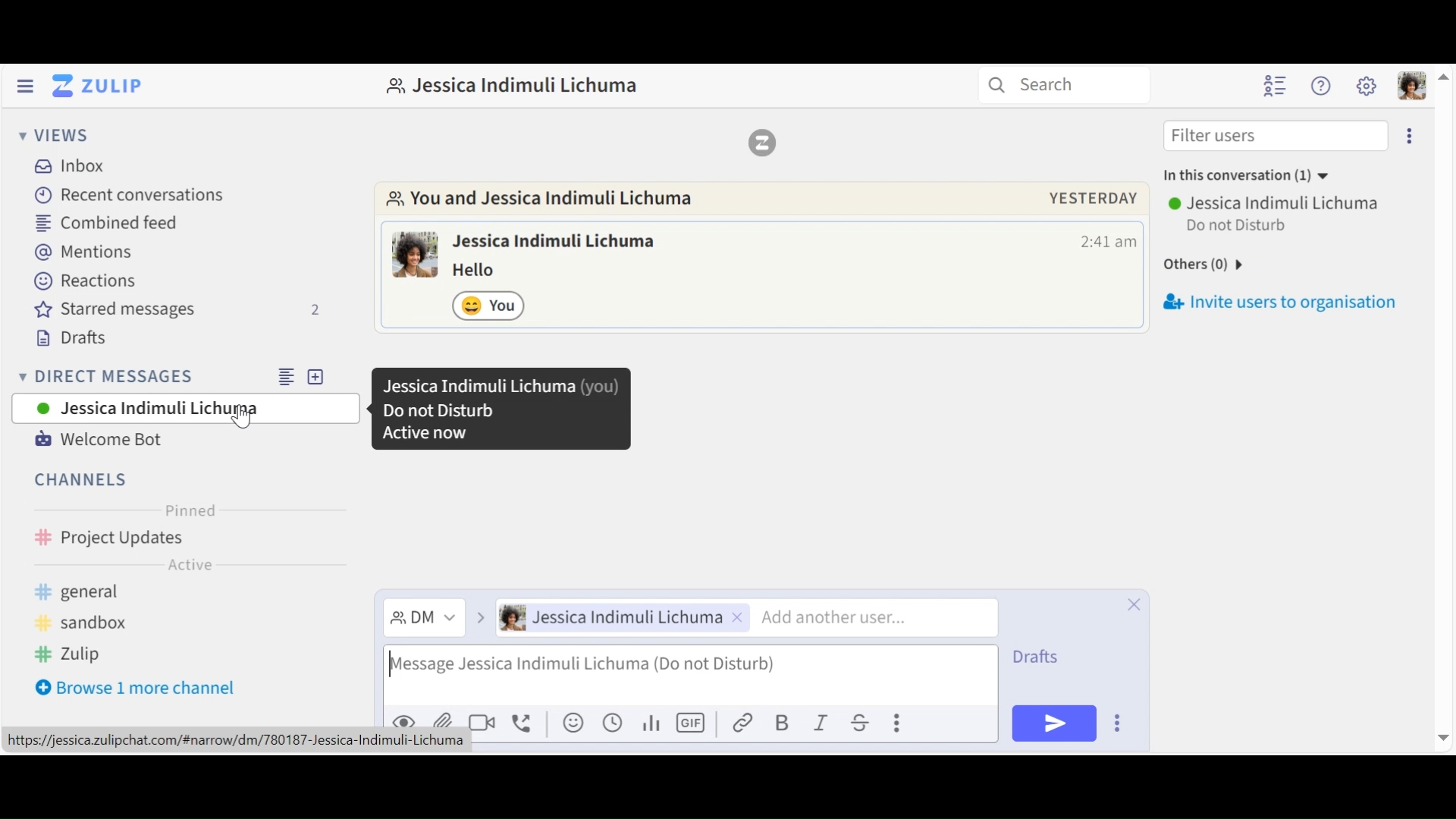 The height and width of the screenshot is (819, 1456). What do you see at coordinates (1108, 242) in the screenshot?
I see `Time message sent` at bounding box center [1108, 242].